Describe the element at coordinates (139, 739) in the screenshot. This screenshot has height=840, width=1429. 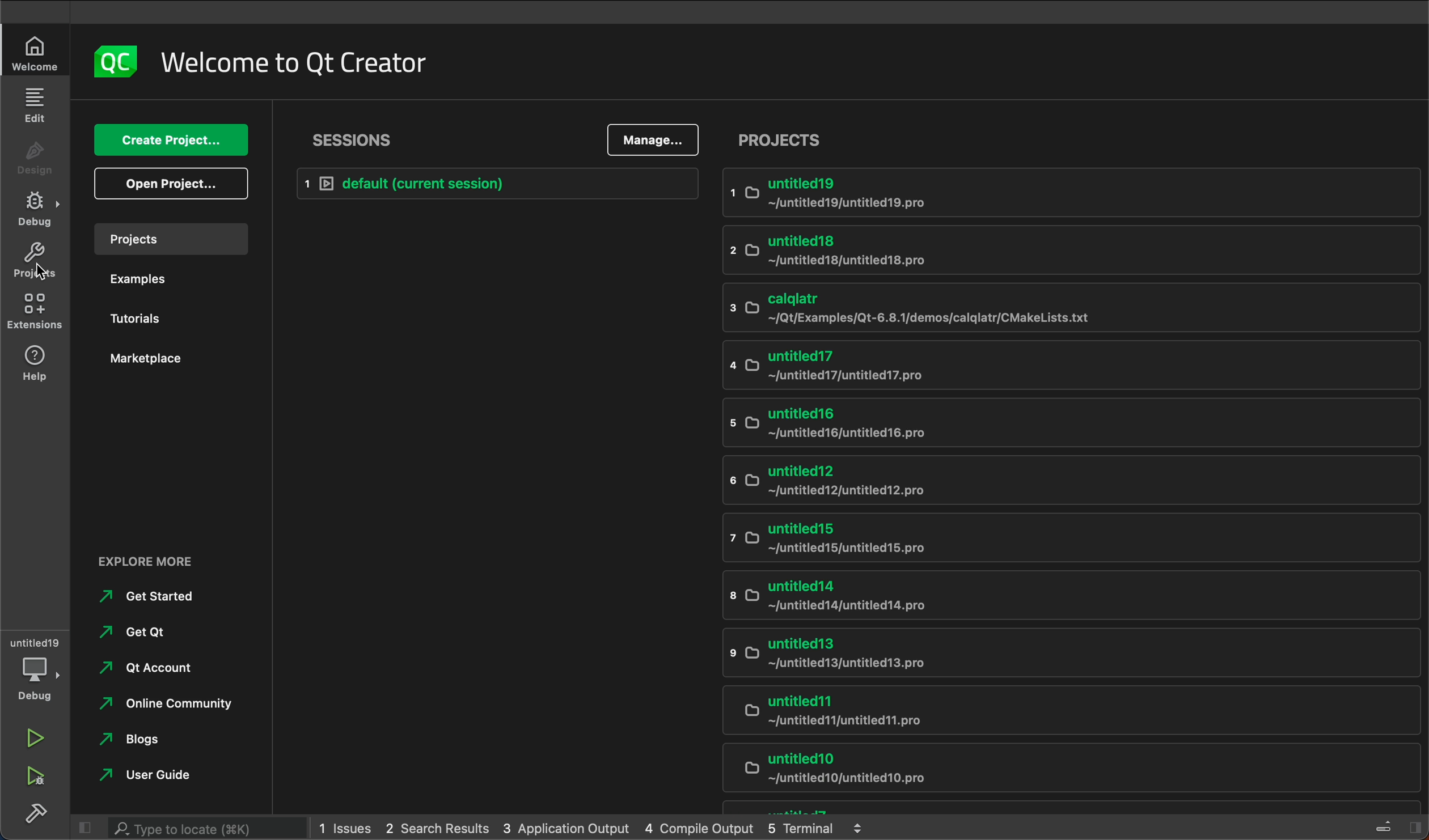
I see `Blogs ` at that location.